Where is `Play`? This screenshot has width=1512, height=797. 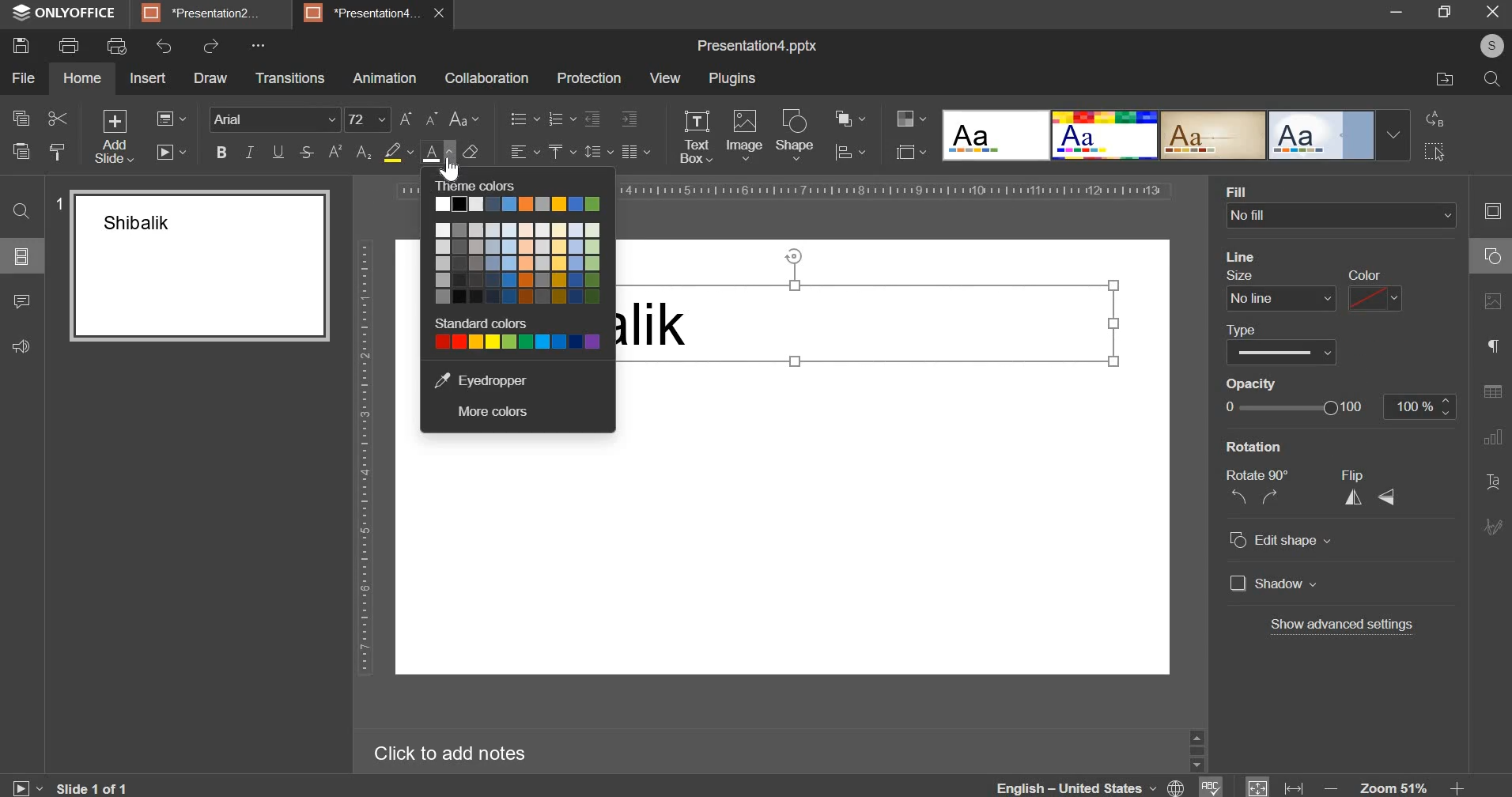
Play is located at coordinates (28, 784).